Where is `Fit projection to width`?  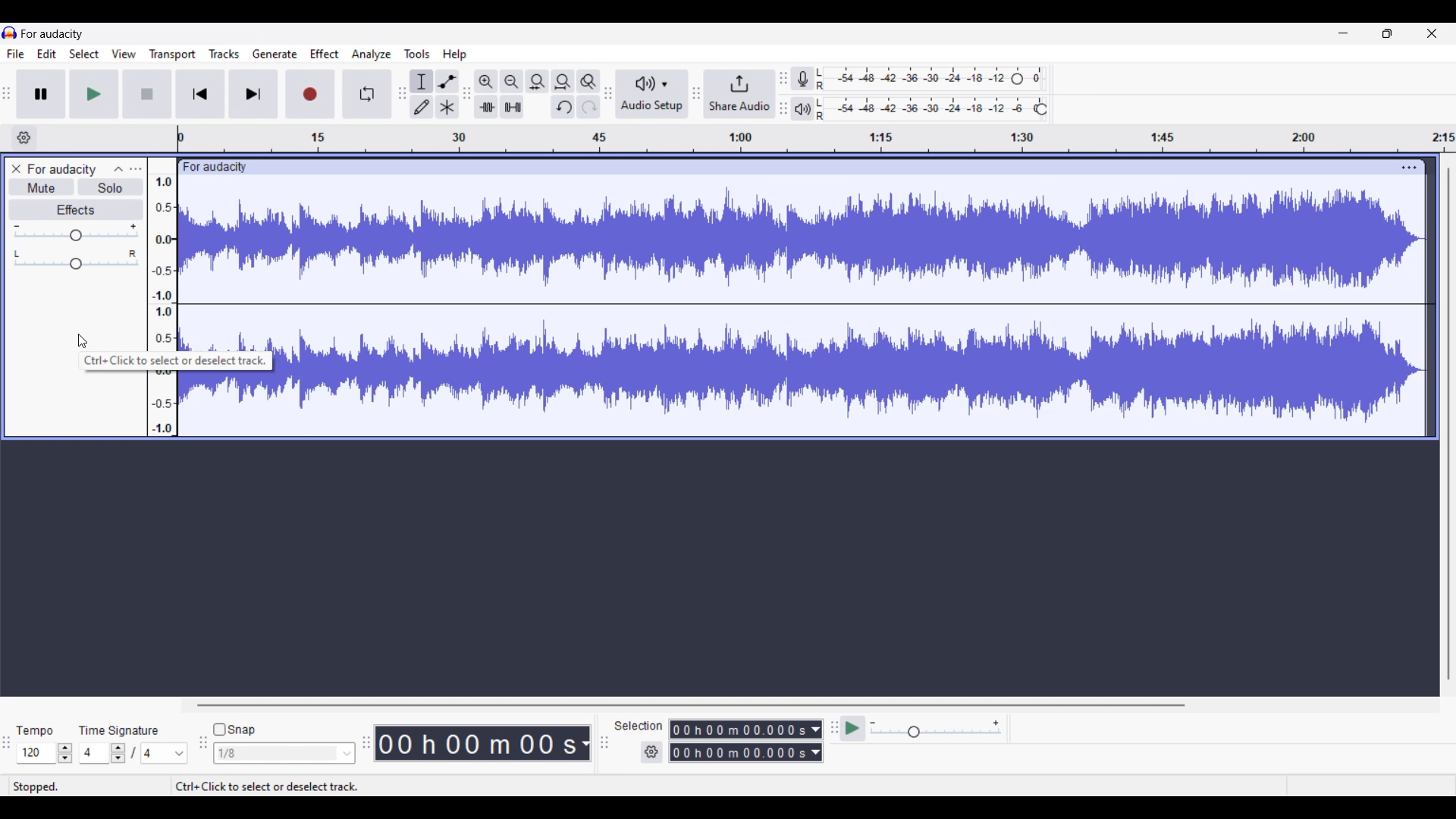
Fit projection to width is located at coordinates (563, 82).